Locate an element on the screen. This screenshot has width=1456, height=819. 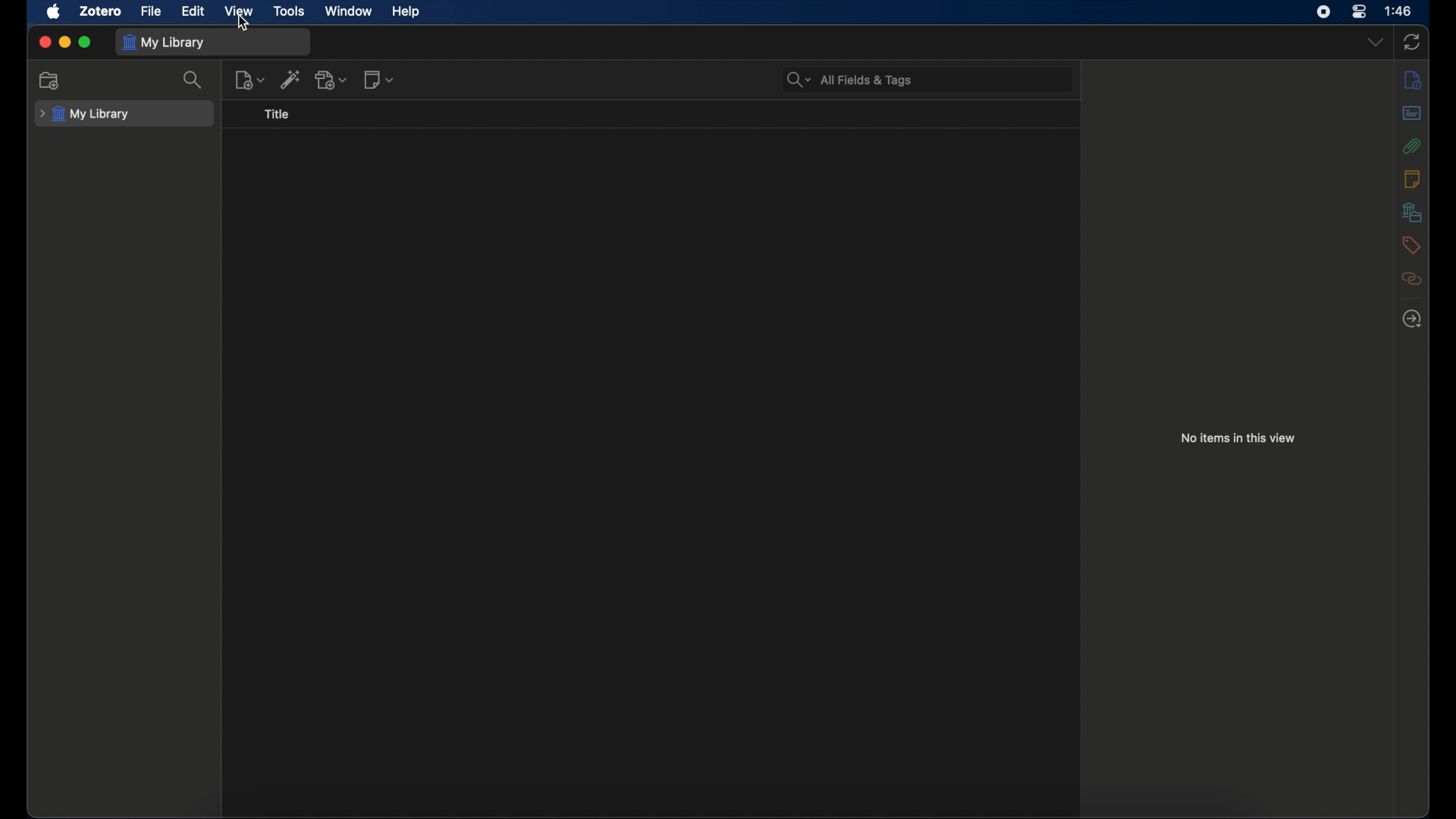
my library is located at coordinates (165, 42).